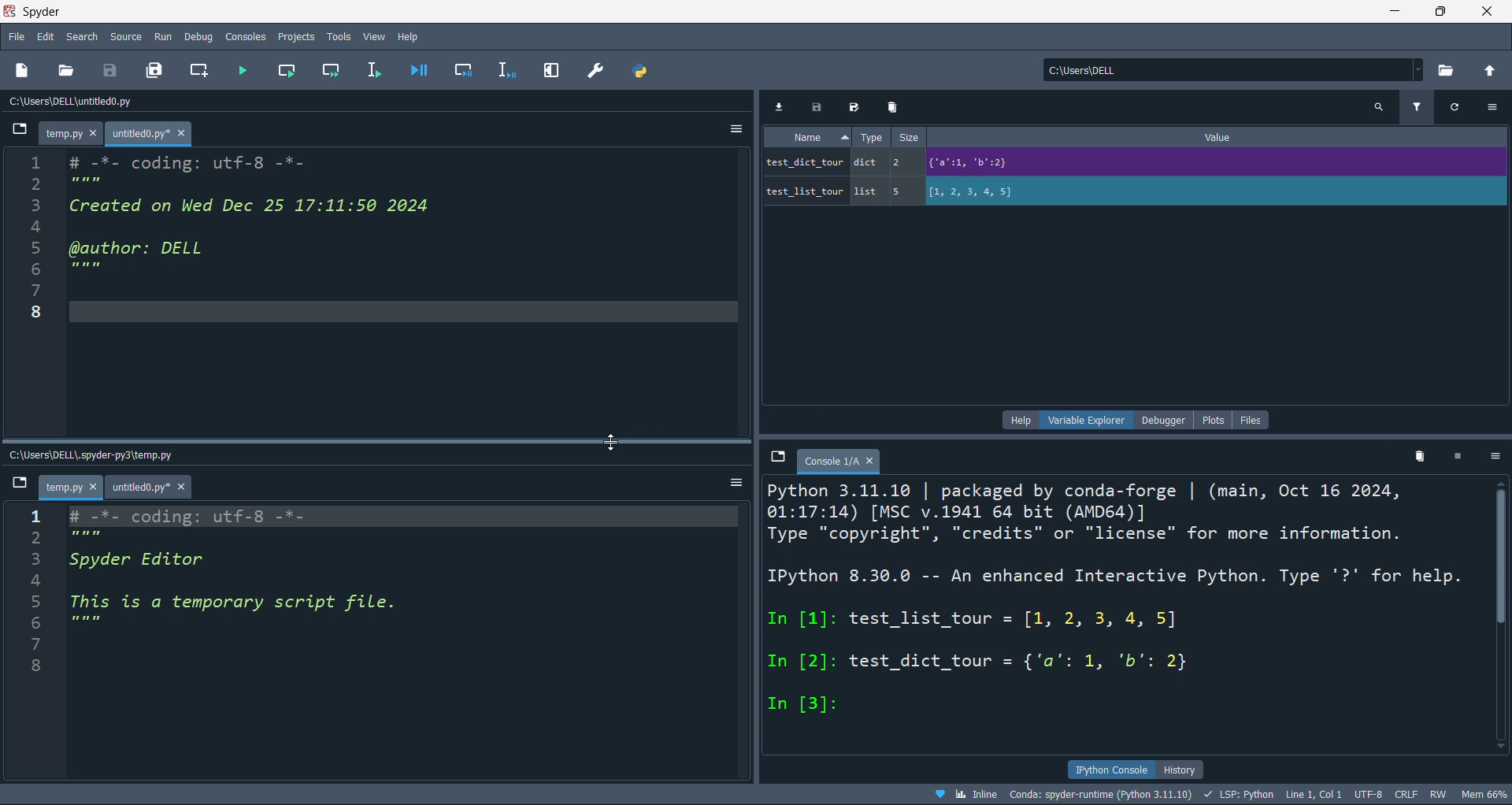 The image size is (1512, 805). What do you see at coordinates (1212, 418) in the screenshot?
I see `plots` at bounding box center [1212, 418].